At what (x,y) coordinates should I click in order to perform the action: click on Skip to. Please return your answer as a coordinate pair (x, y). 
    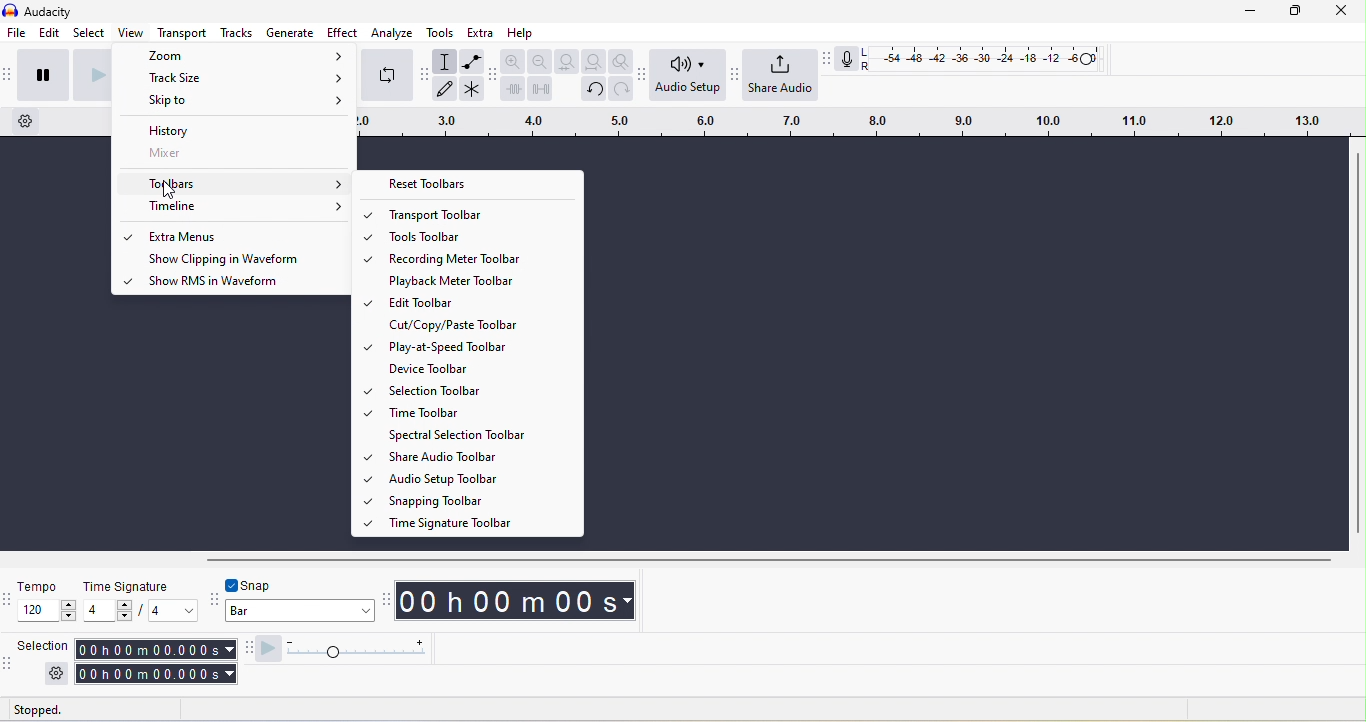
    Looking at the image, I should click on (233, 101).